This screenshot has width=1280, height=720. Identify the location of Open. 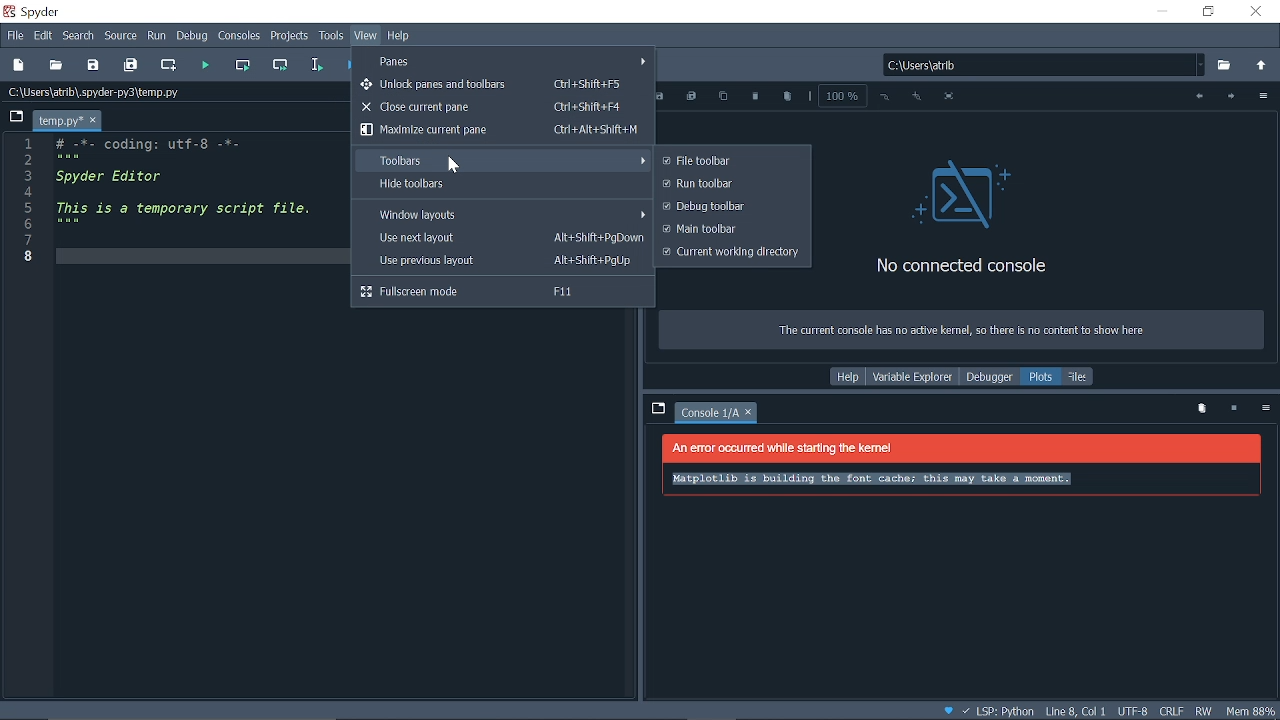
(56, 64).